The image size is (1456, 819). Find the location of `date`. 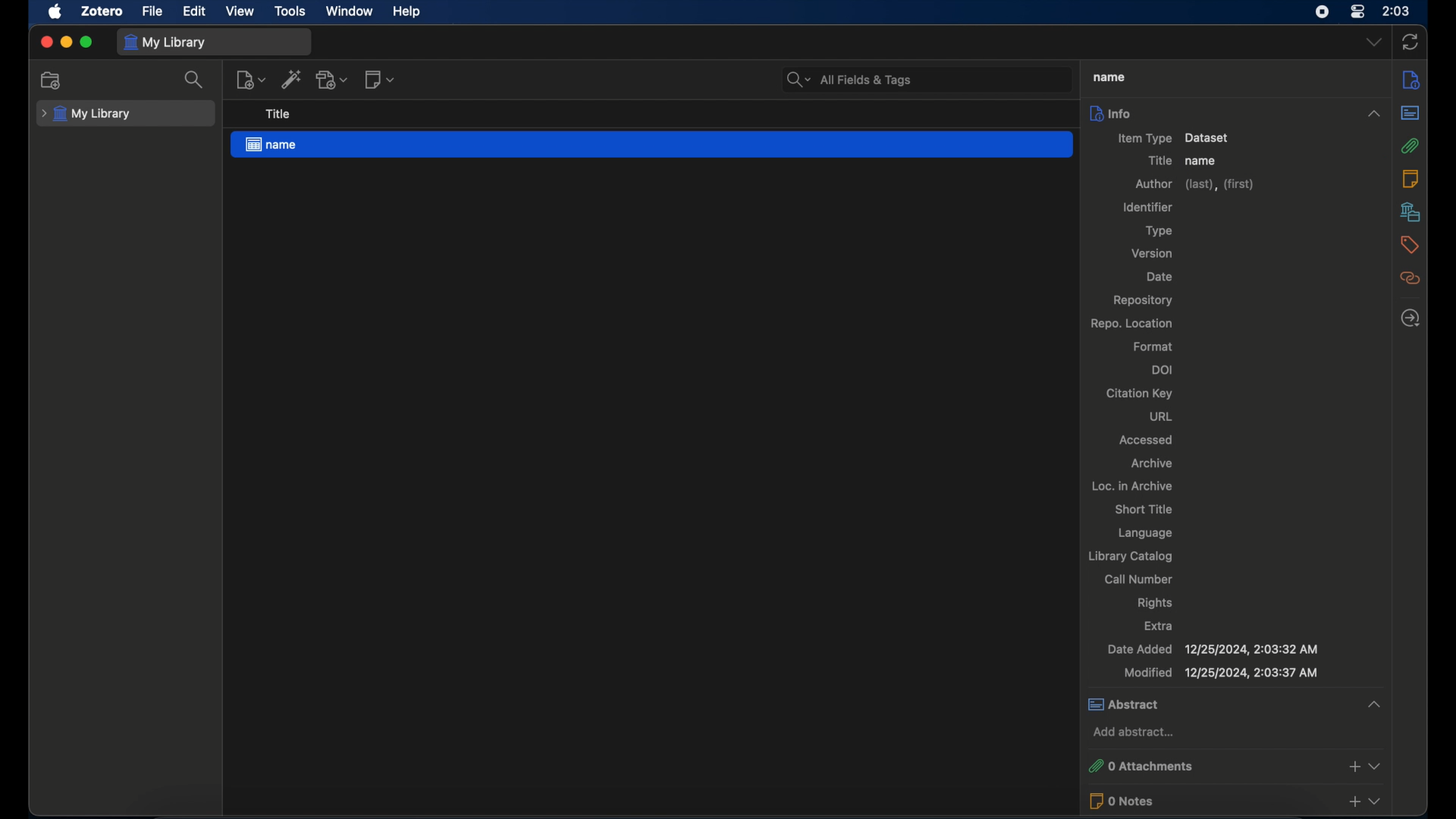

date is located at coordinates (1159, 276).